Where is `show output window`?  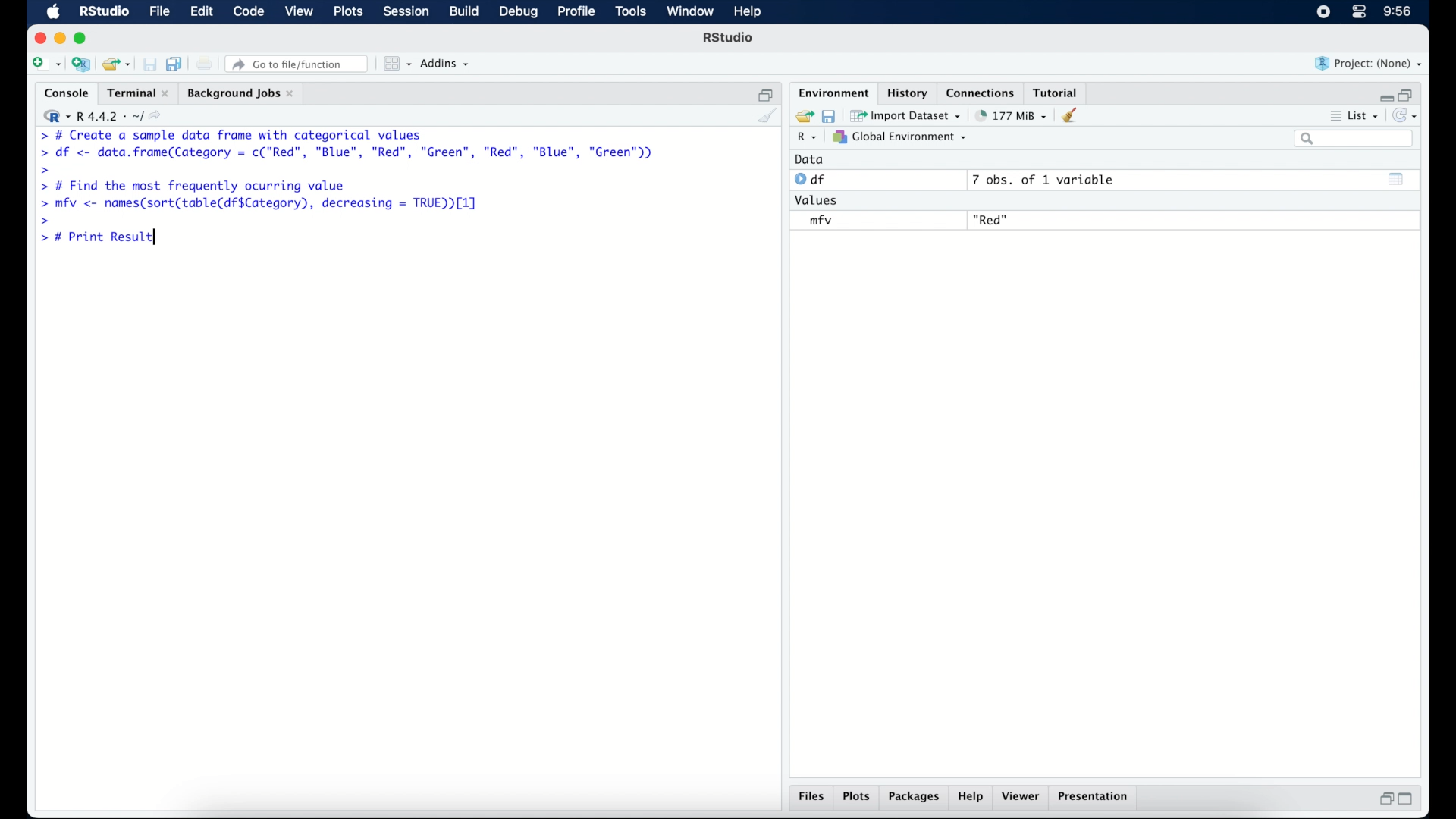 show output window is located at coordinates (1398, 181).